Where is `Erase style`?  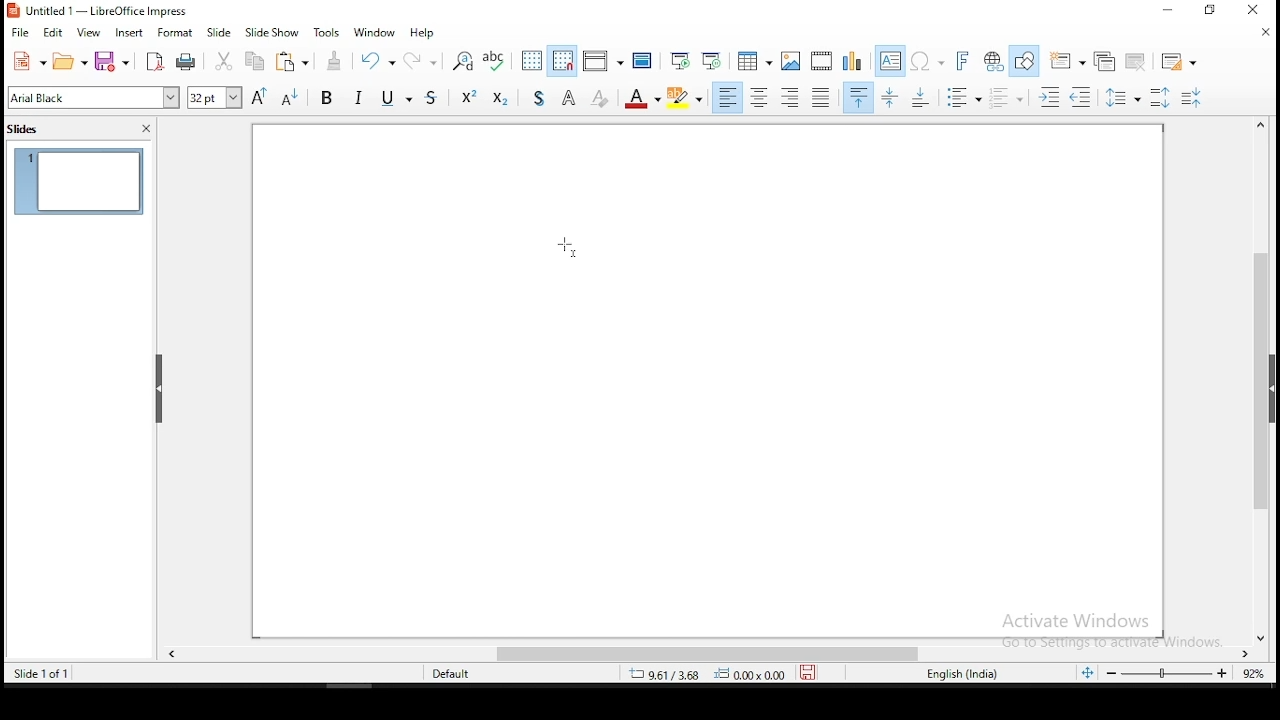
Erase style is located at coordinates (600, 96).